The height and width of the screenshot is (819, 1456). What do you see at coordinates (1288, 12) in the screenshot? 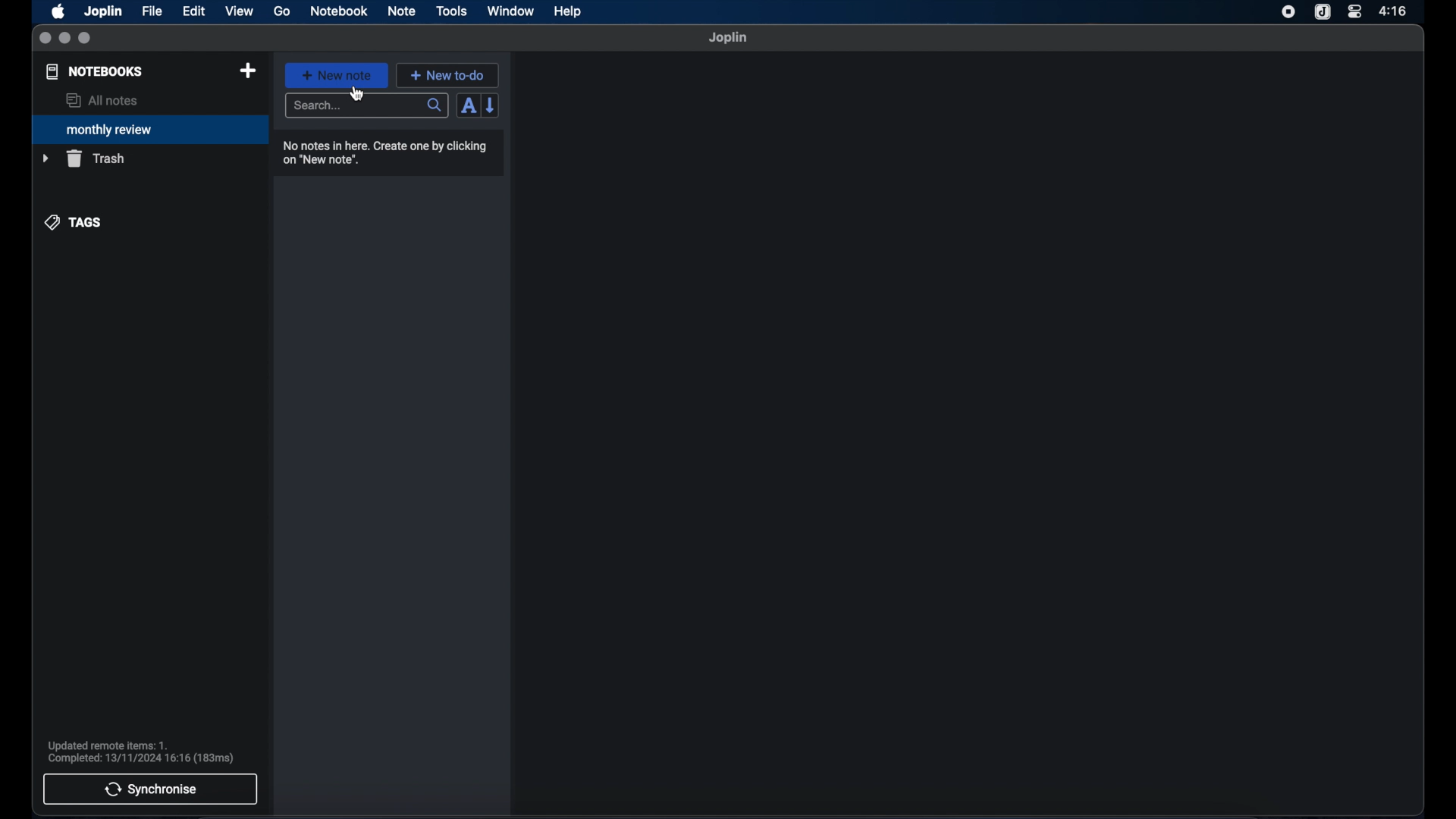
I see `screen recorder icon` at bounding box center [1288, 12].